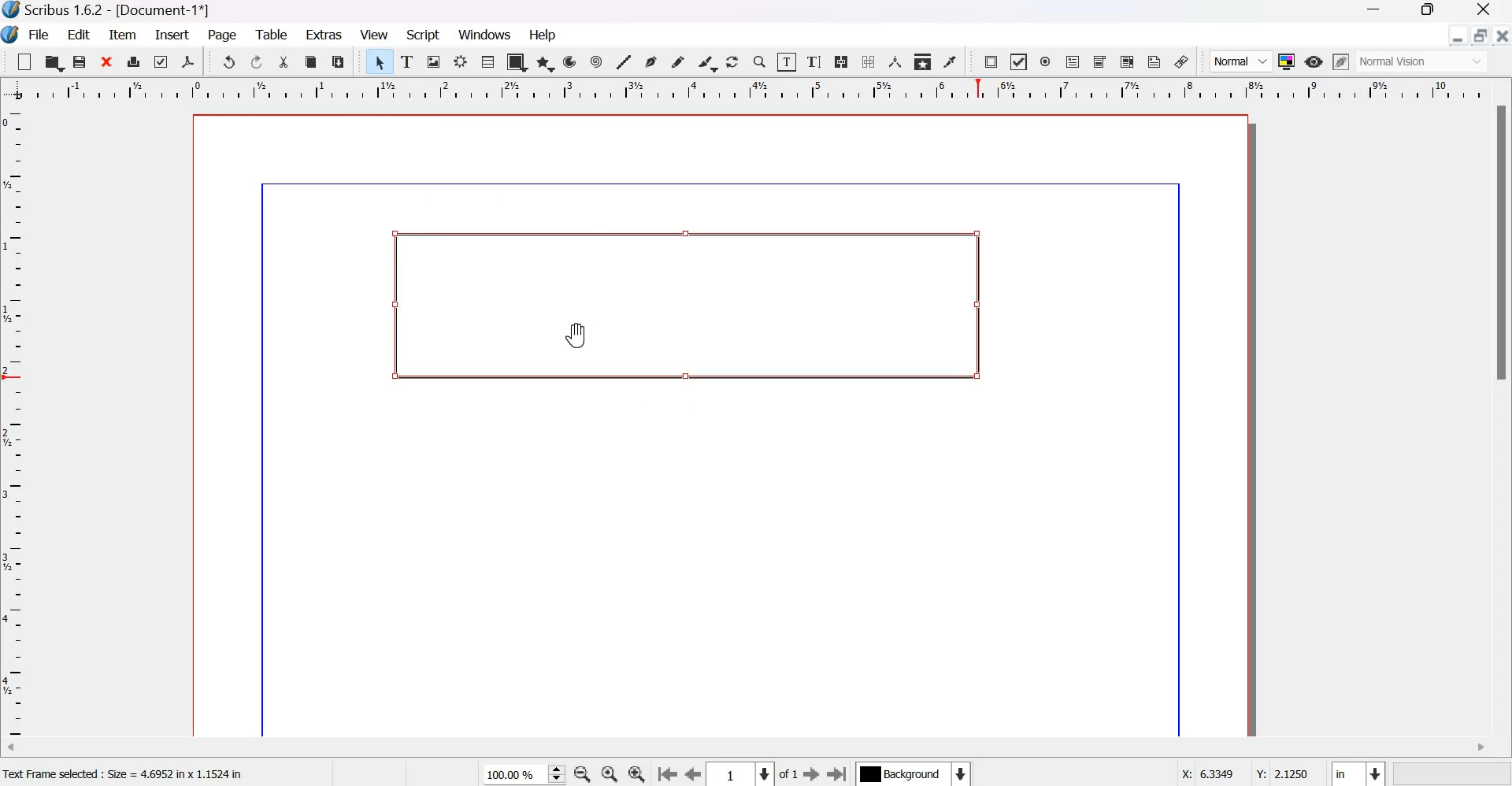  What do you see at coordinates (1503, 244) in the screenshot?
I see `Scrollbar` at bounding box center [1503, 244].